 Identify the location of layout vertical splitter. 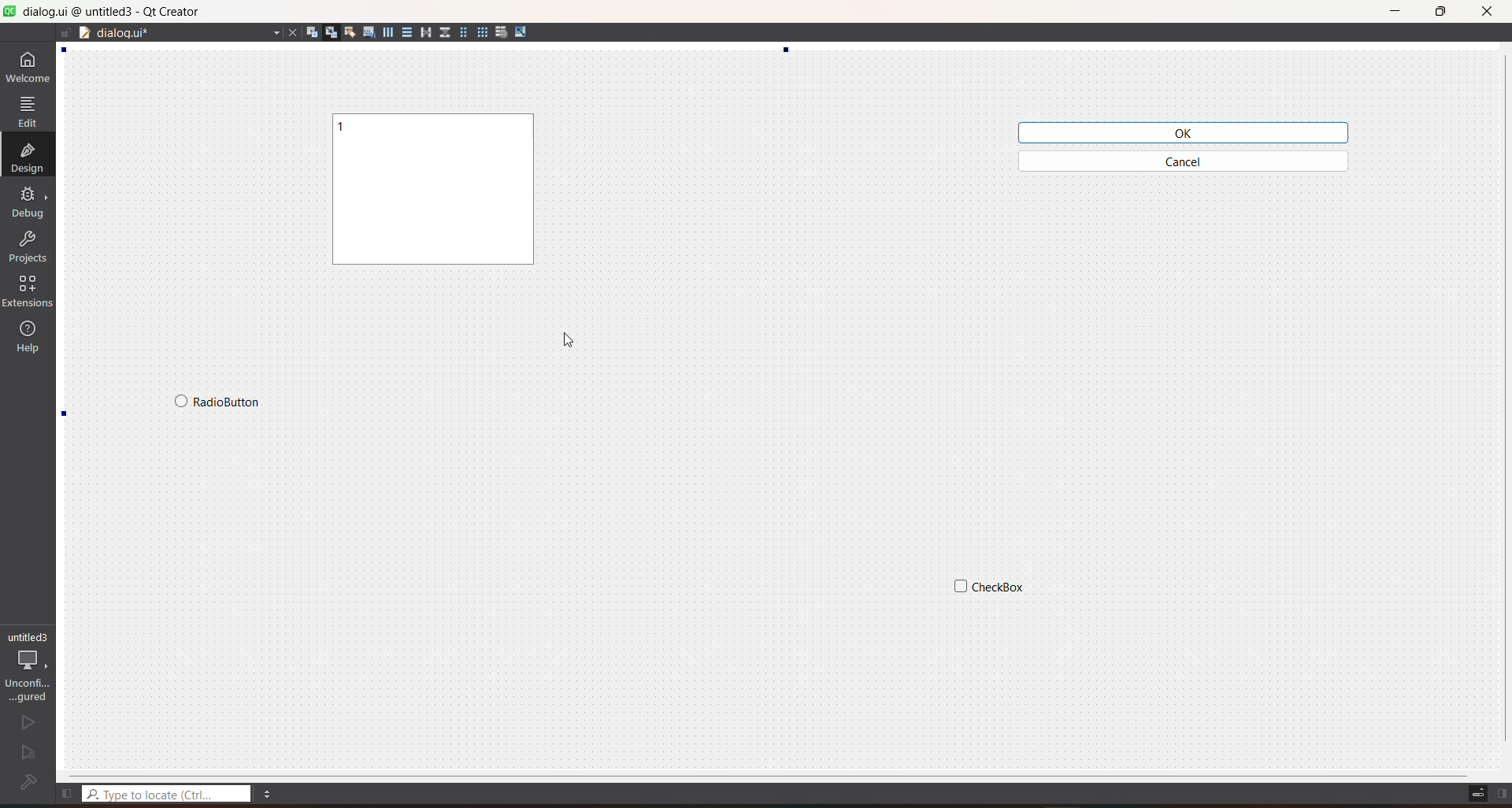
(443, 33).